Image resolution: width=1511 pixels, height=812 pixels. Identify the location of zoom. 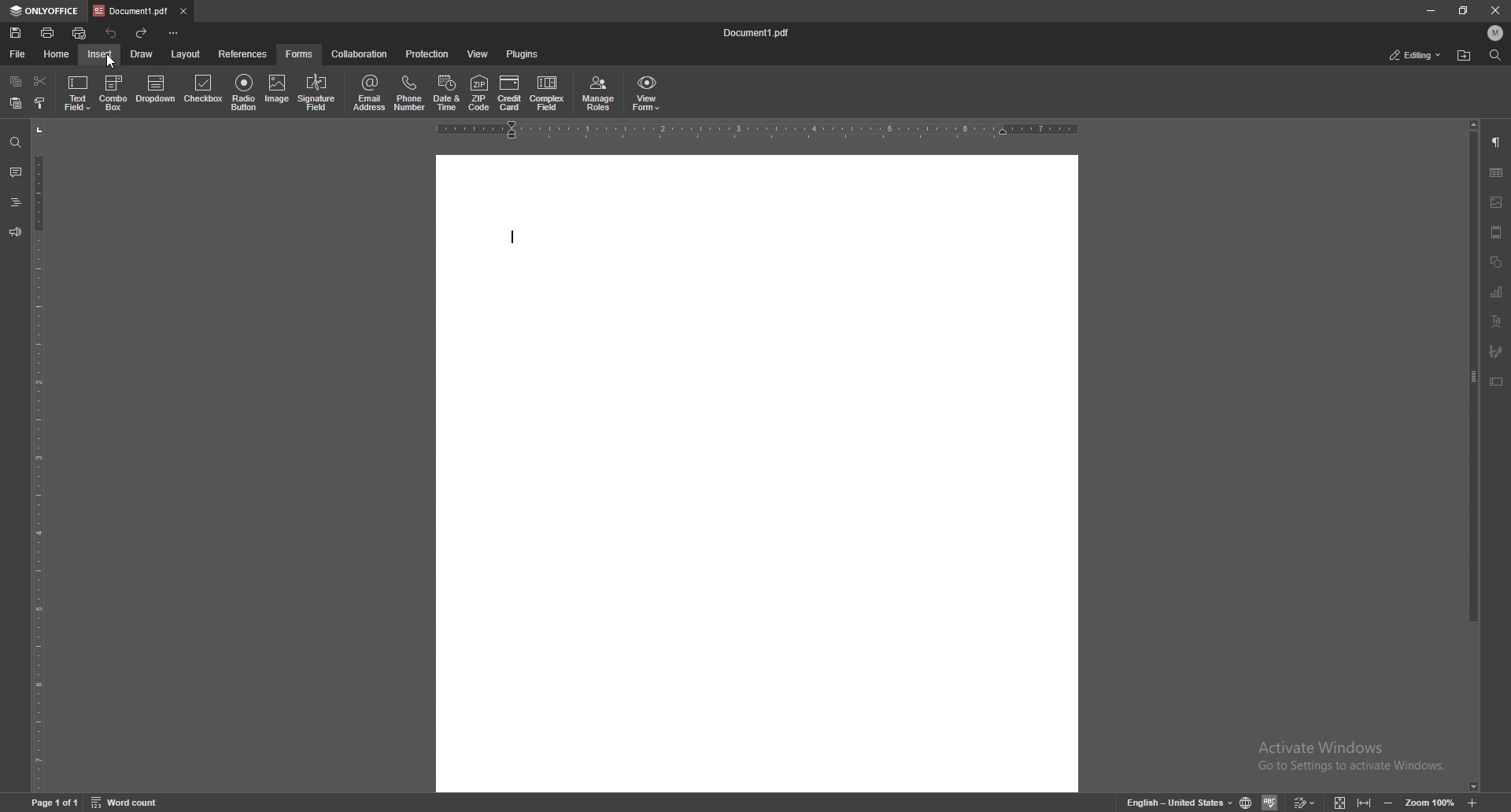
(1431, 802).